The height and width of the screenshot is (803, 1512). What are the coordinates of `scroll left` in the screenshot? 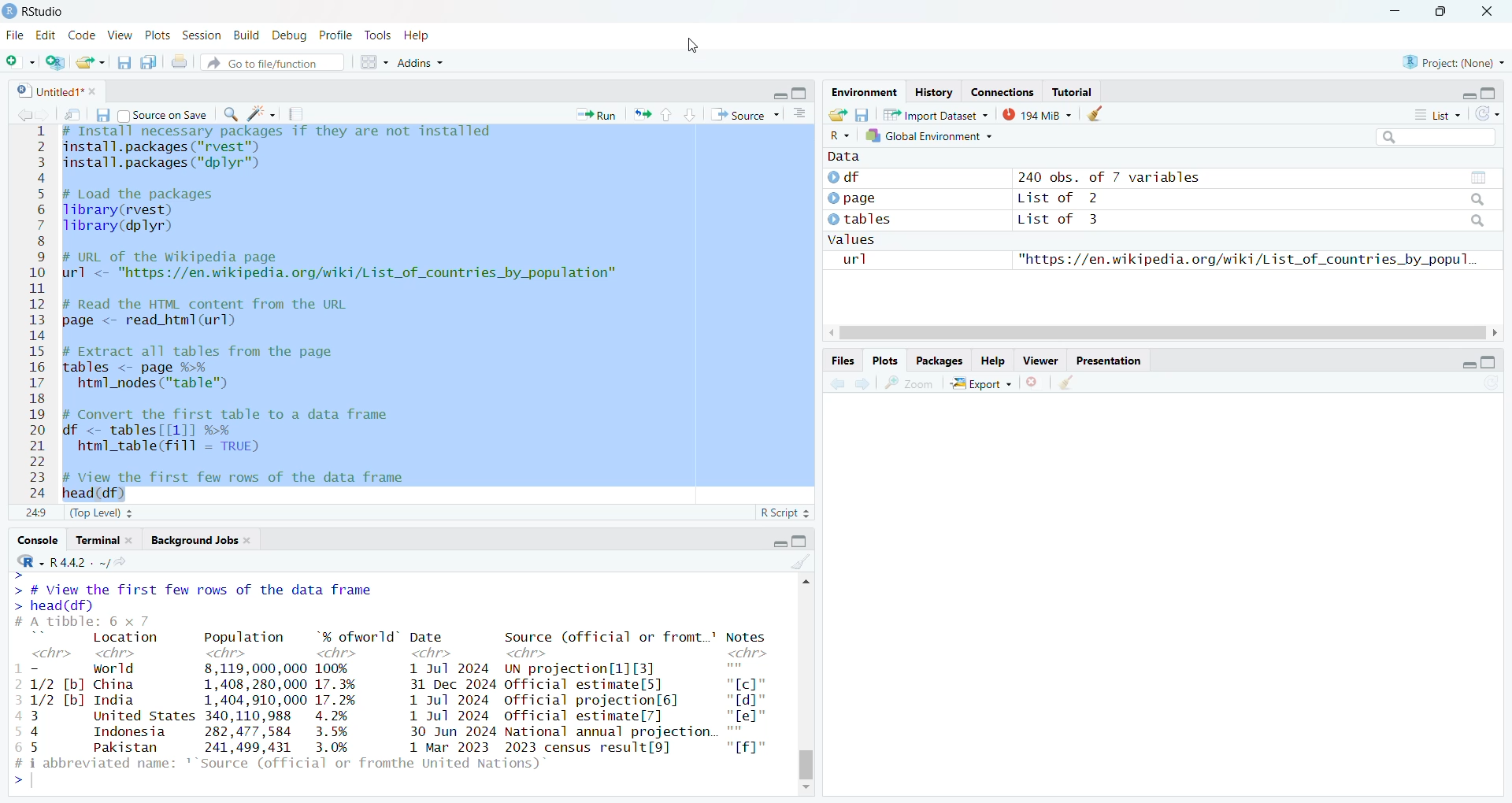 It's located at (830, 333).